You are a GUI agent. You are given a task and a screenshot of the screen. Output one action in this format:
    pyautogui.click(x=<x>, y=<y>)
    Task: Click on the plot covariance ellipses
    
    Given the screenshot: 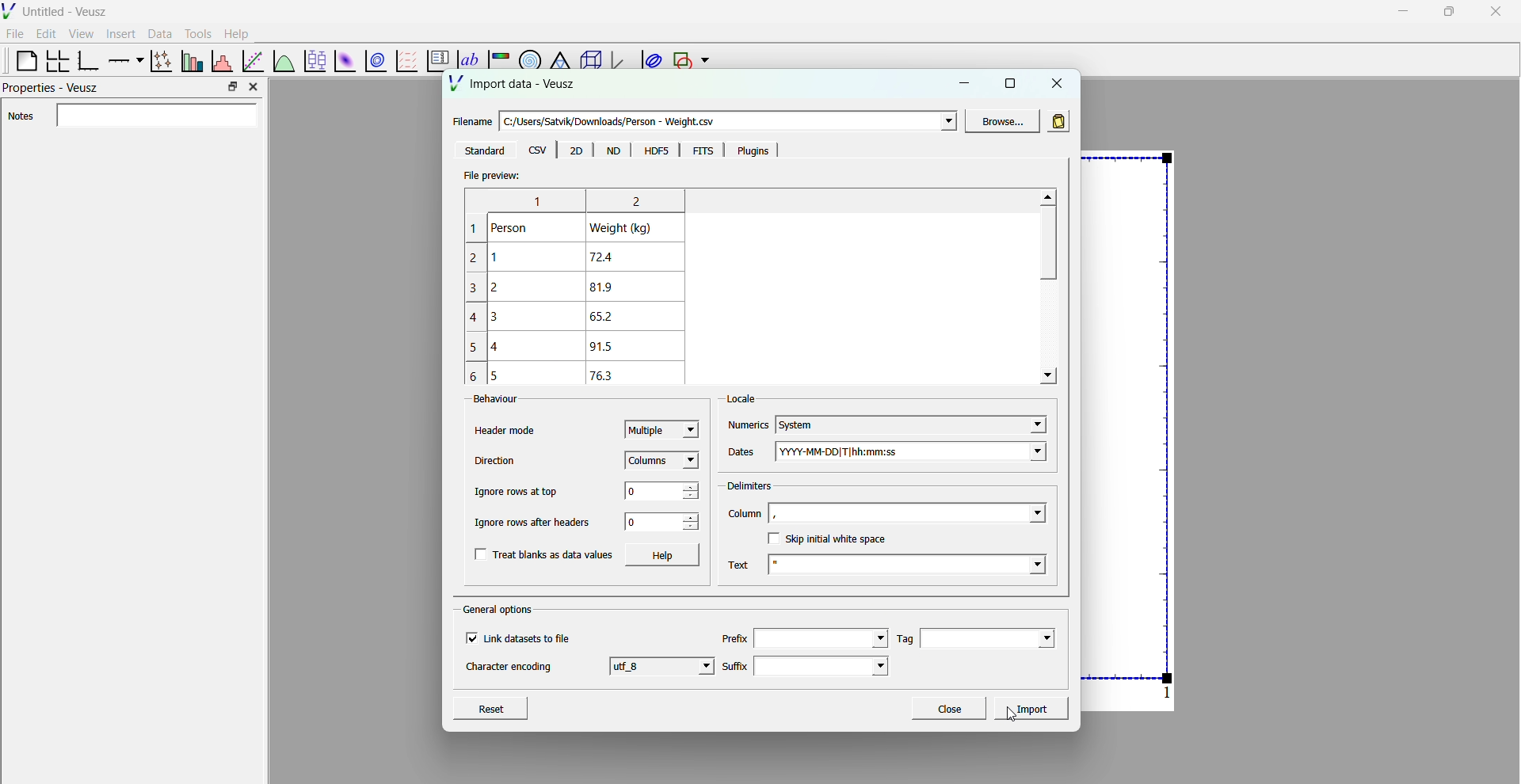 What is the action you would take?
    pyautogui.click(x=650, y=60)
    